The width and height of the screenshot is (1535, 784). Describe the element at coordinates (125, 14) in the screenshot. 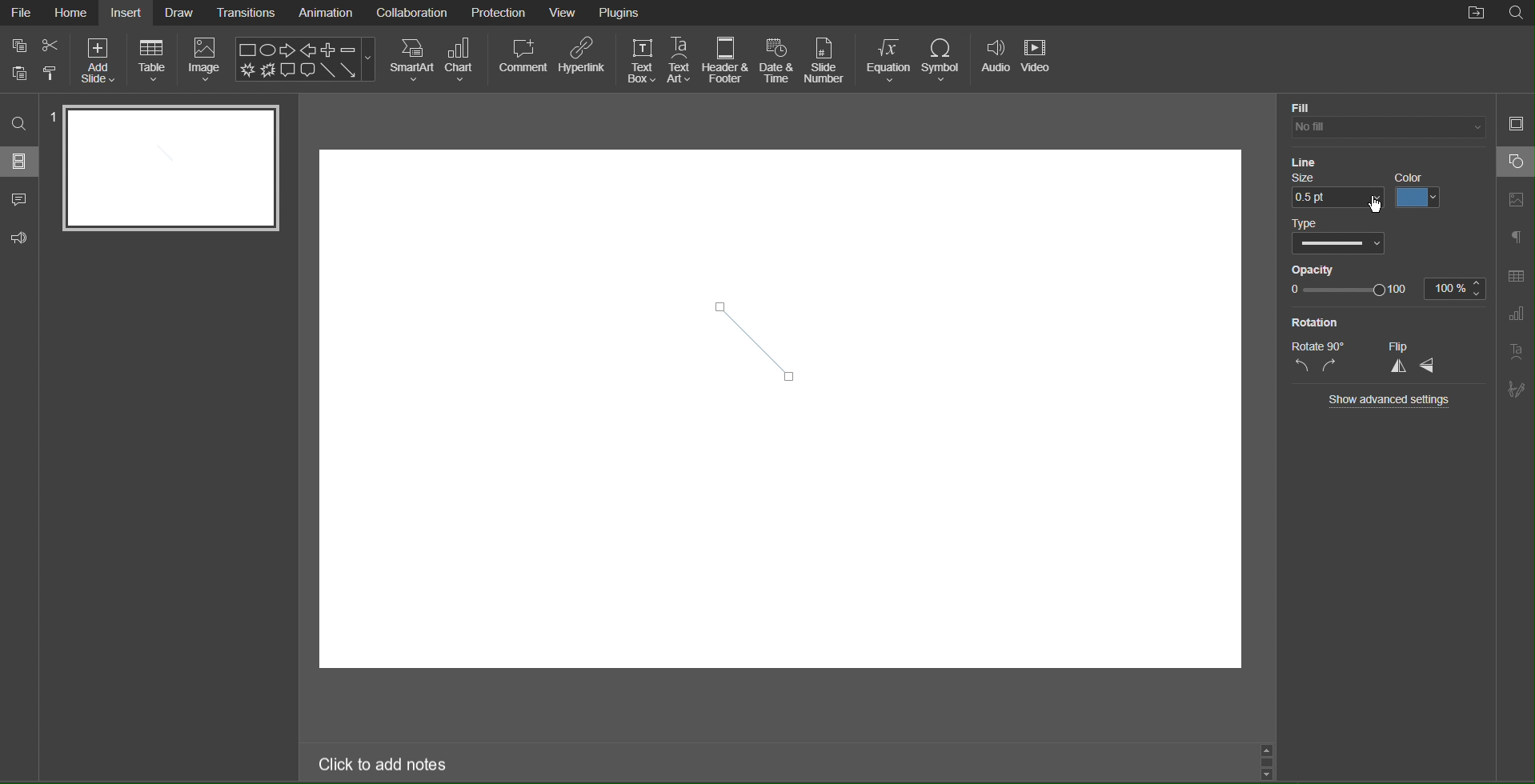

I see `Insert` at that location.